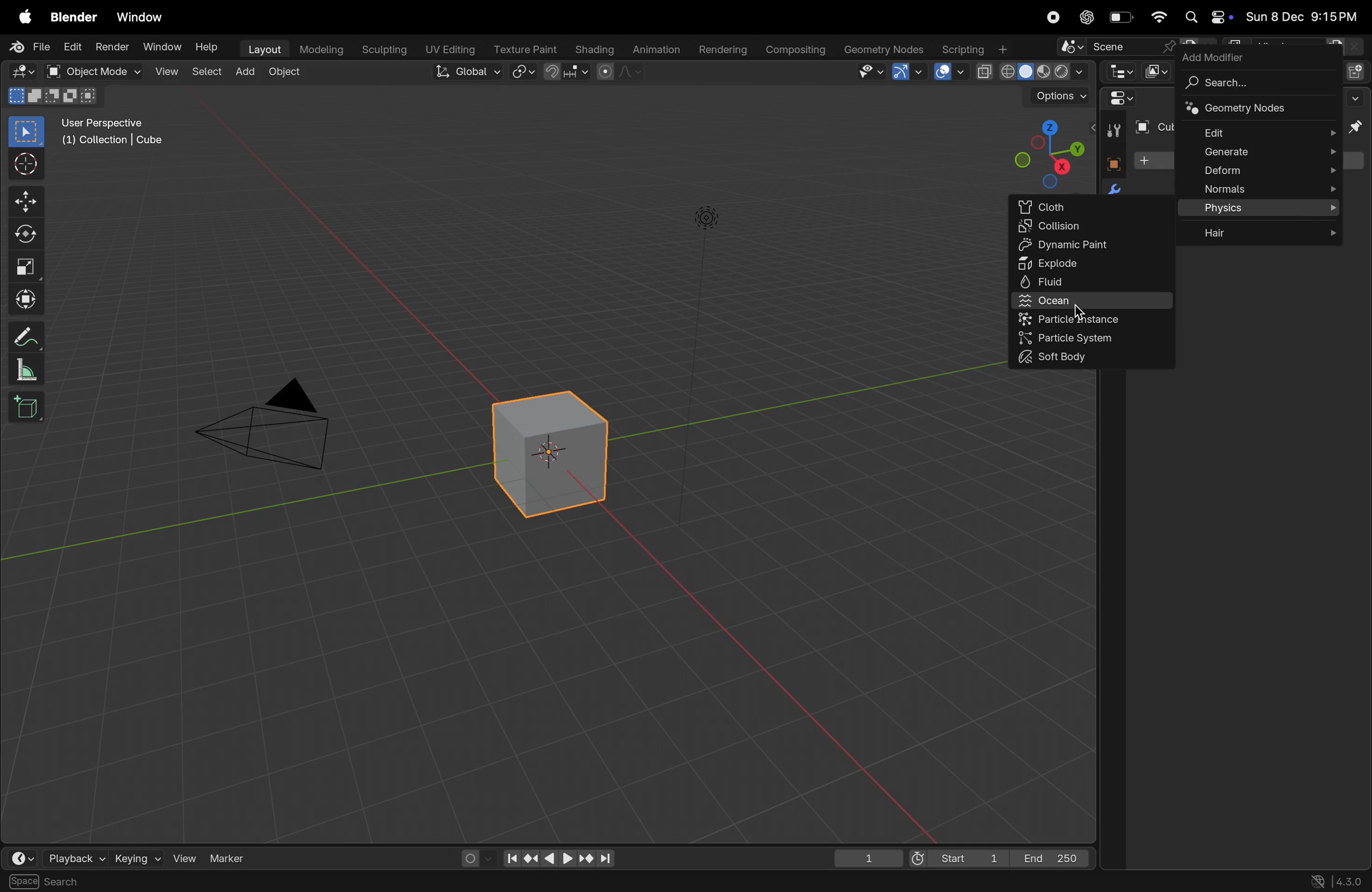  What do you see at coordinates (1253, 83) in the screenshot?
I see `search` at bounding box center [1253, 83].